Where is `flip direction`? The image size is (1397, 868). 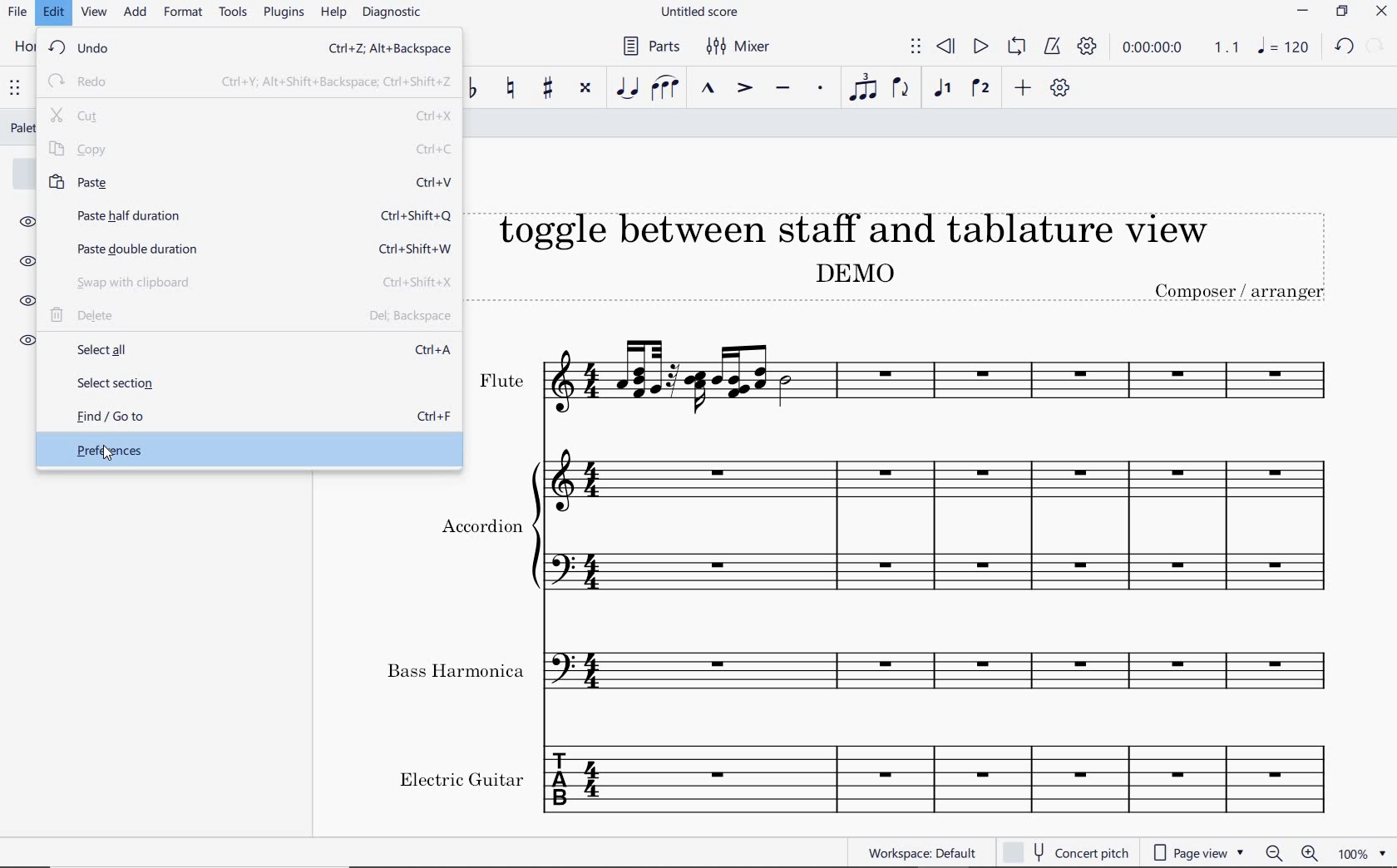
flip direction is located at coordinates (905, 91).